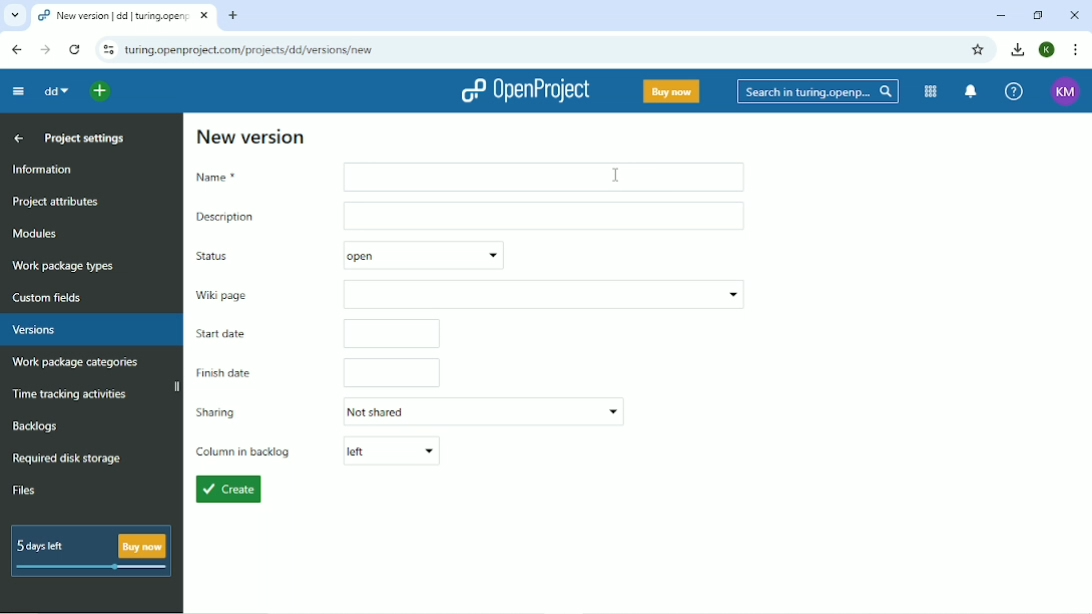 This screenshot has width=1092, height=614. I want to click on Time tracking activities, so click(70, 393).